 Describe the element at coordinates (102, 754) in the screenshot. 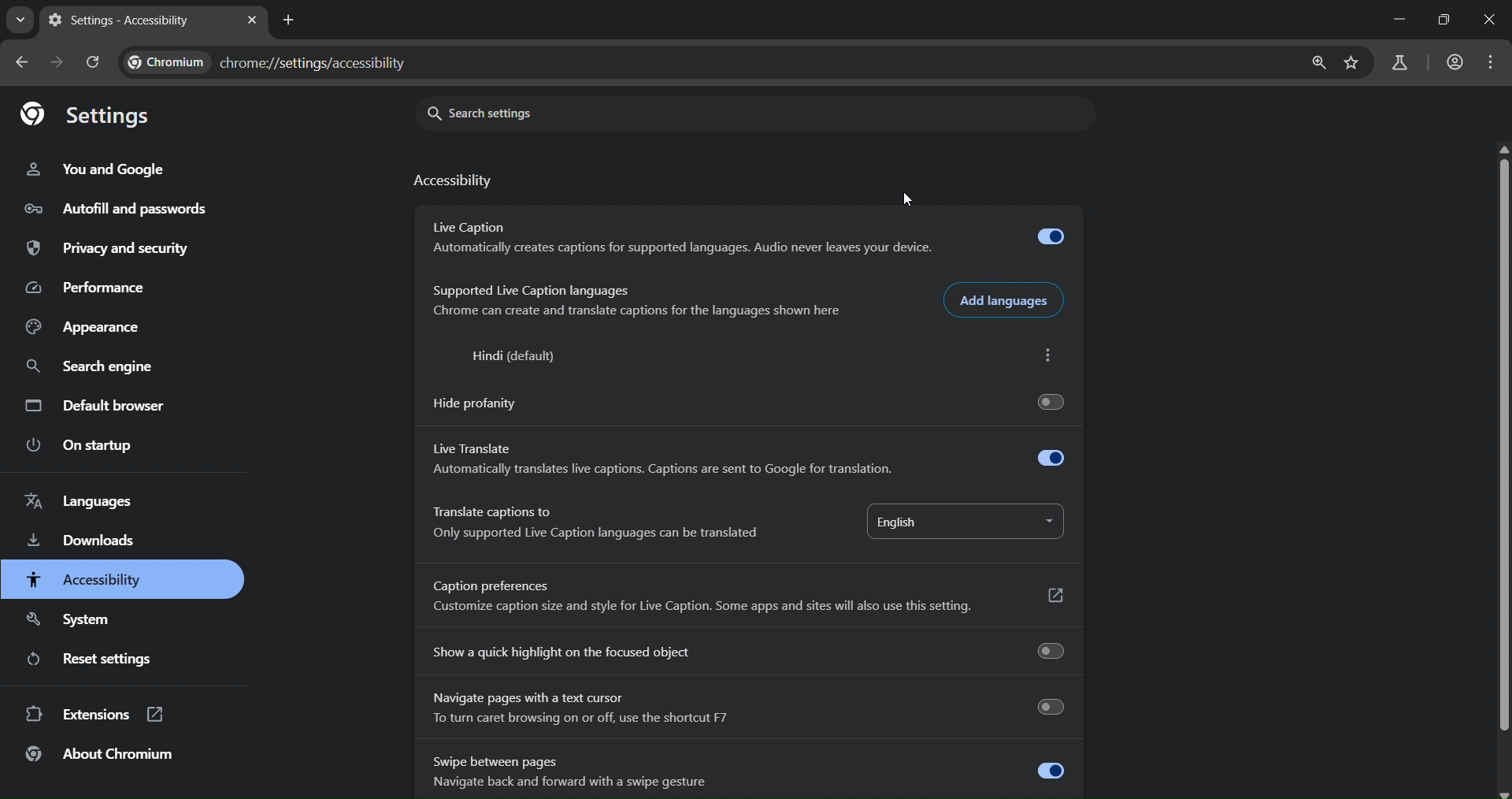

I see `about chromium` at that location.